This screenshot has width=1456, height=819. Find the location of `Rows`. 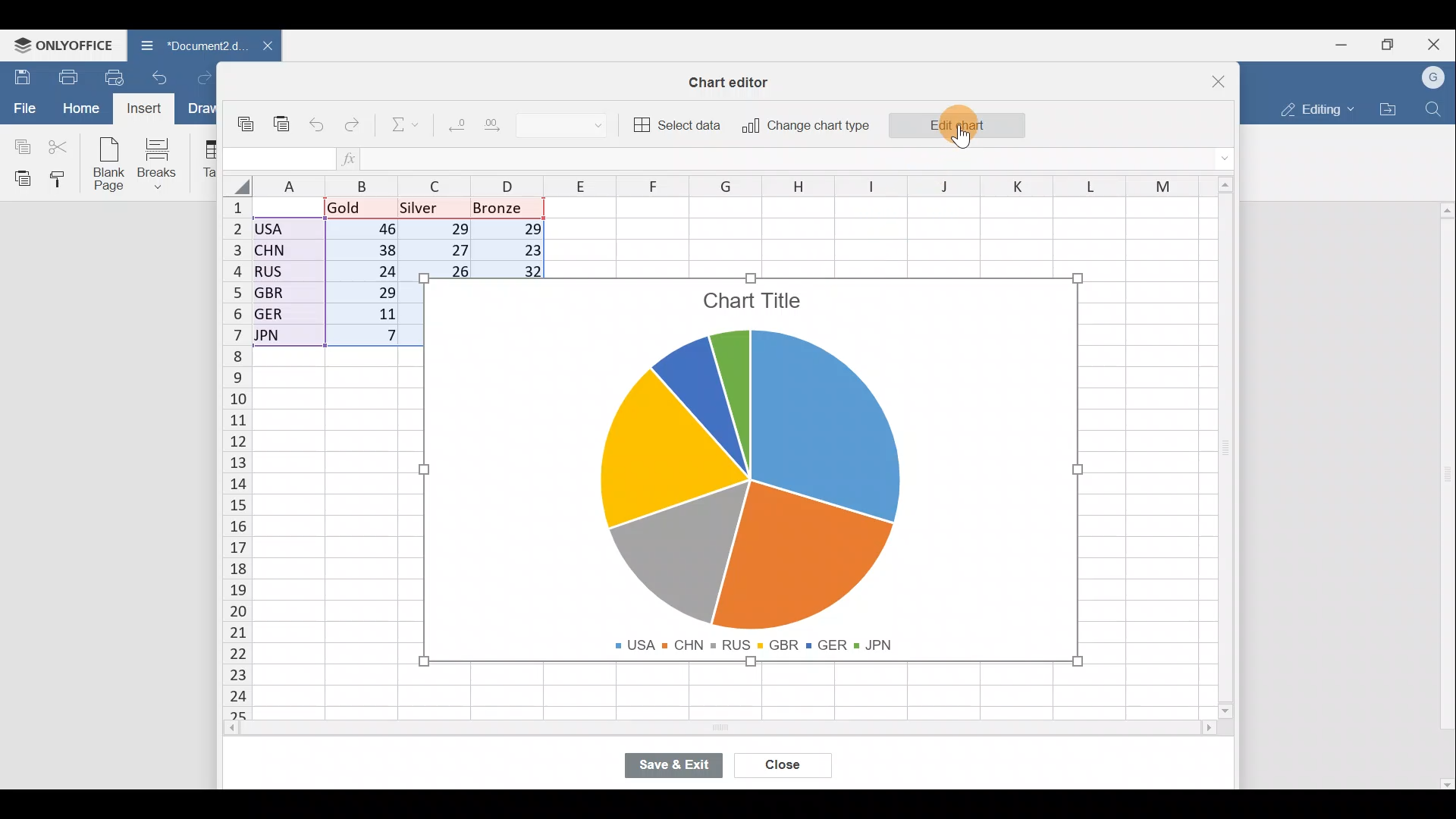

Rows is located at coordinates (237, 449).